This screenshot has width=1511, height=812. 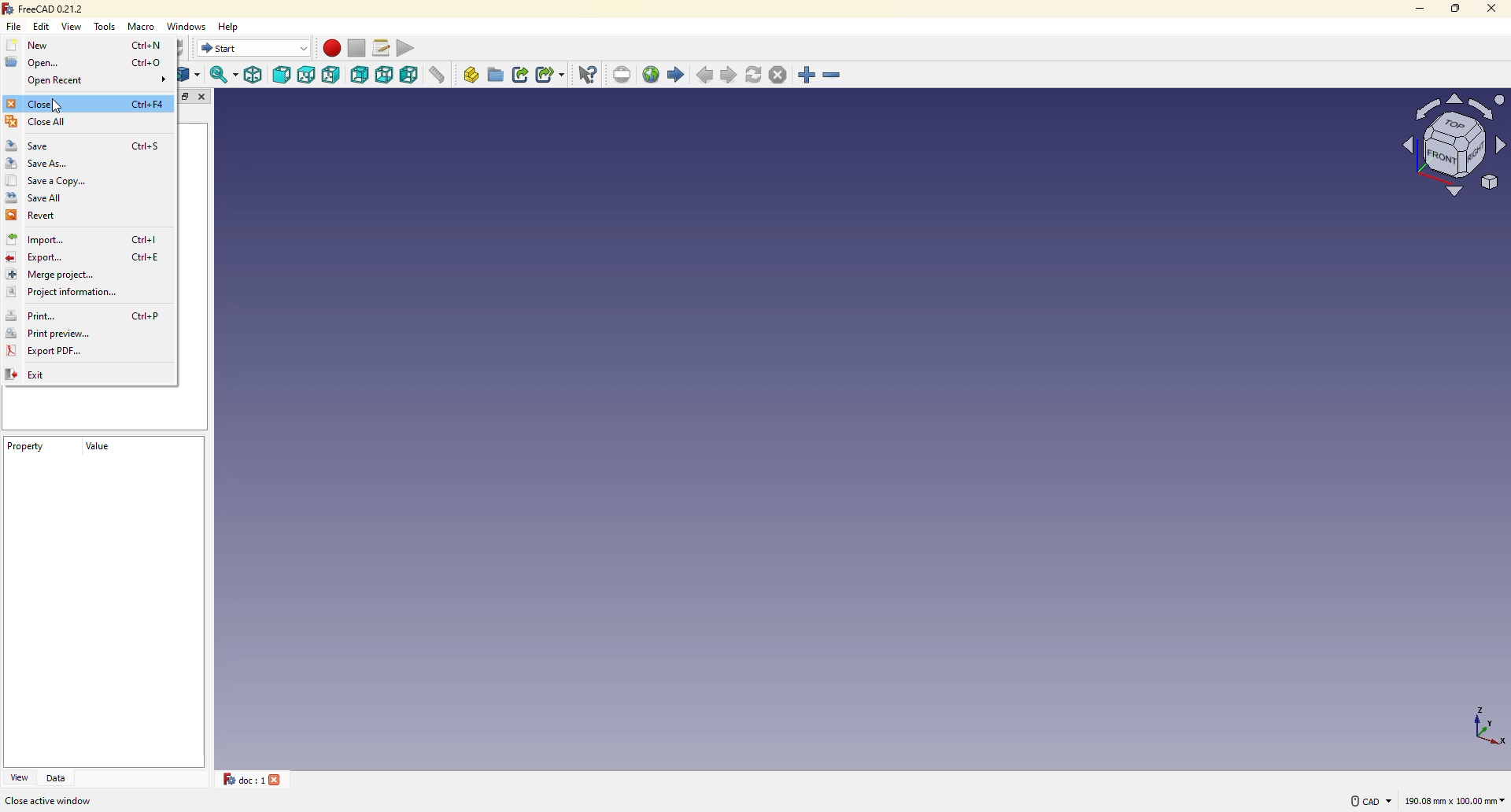 I want to click on import, so click(x=39, y=240).